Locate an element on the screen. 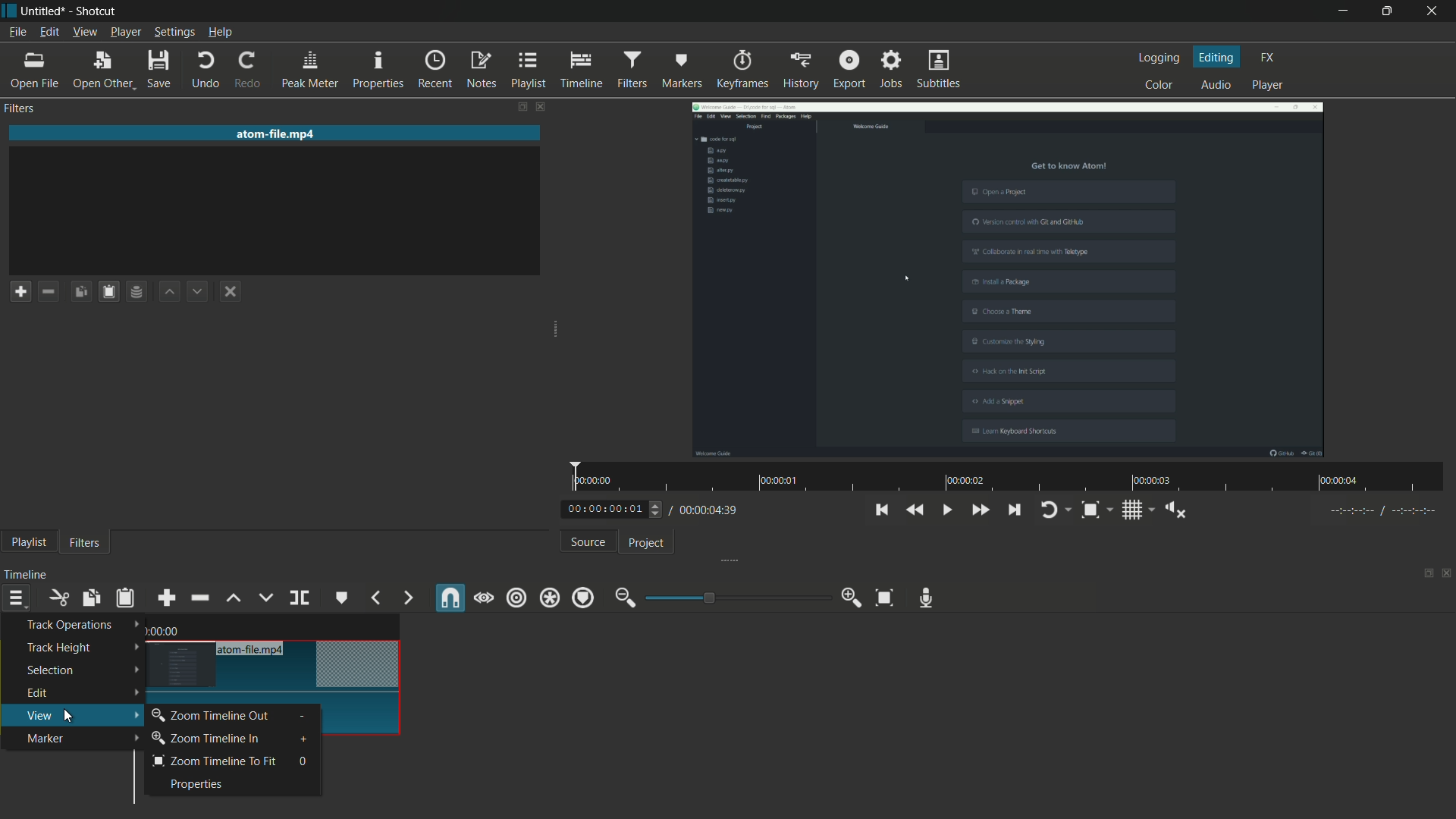  cursor is located at coordinates (74, 716).